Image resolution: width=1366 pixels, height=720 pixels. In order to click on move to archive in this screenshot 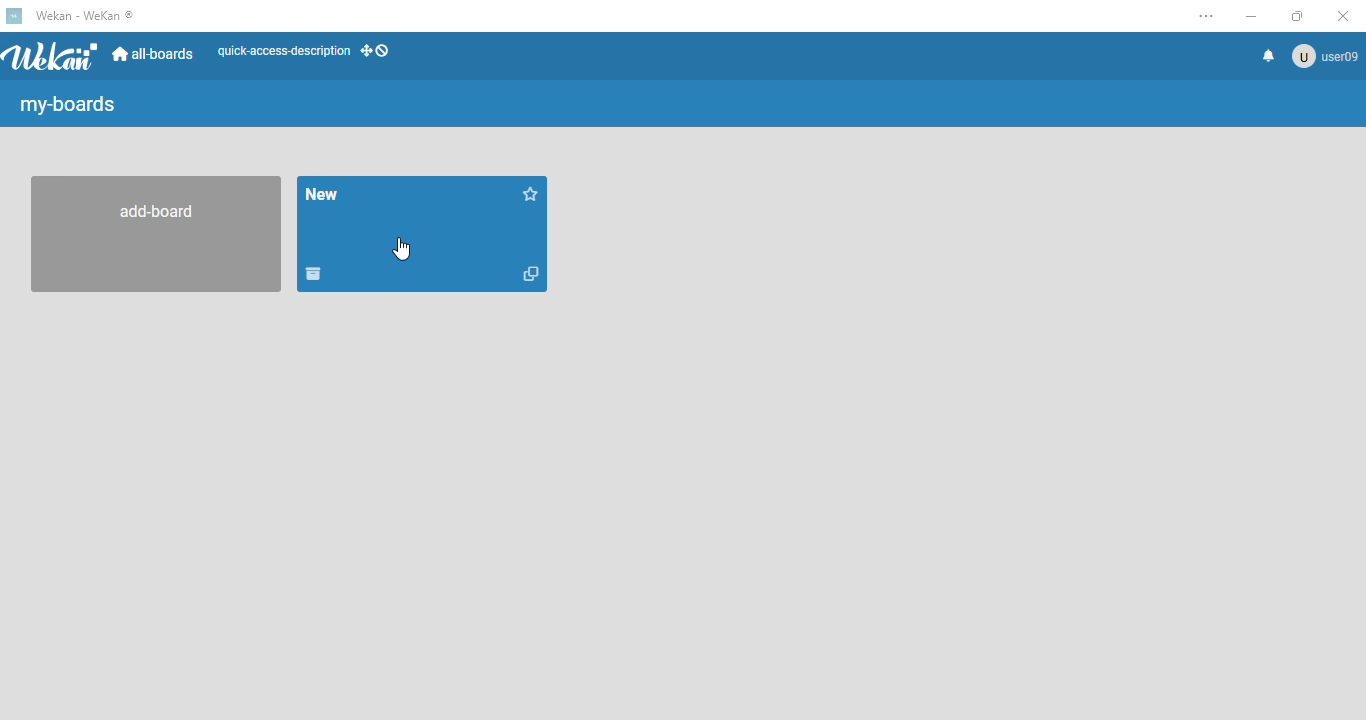, I will do `click(315, 275)`.